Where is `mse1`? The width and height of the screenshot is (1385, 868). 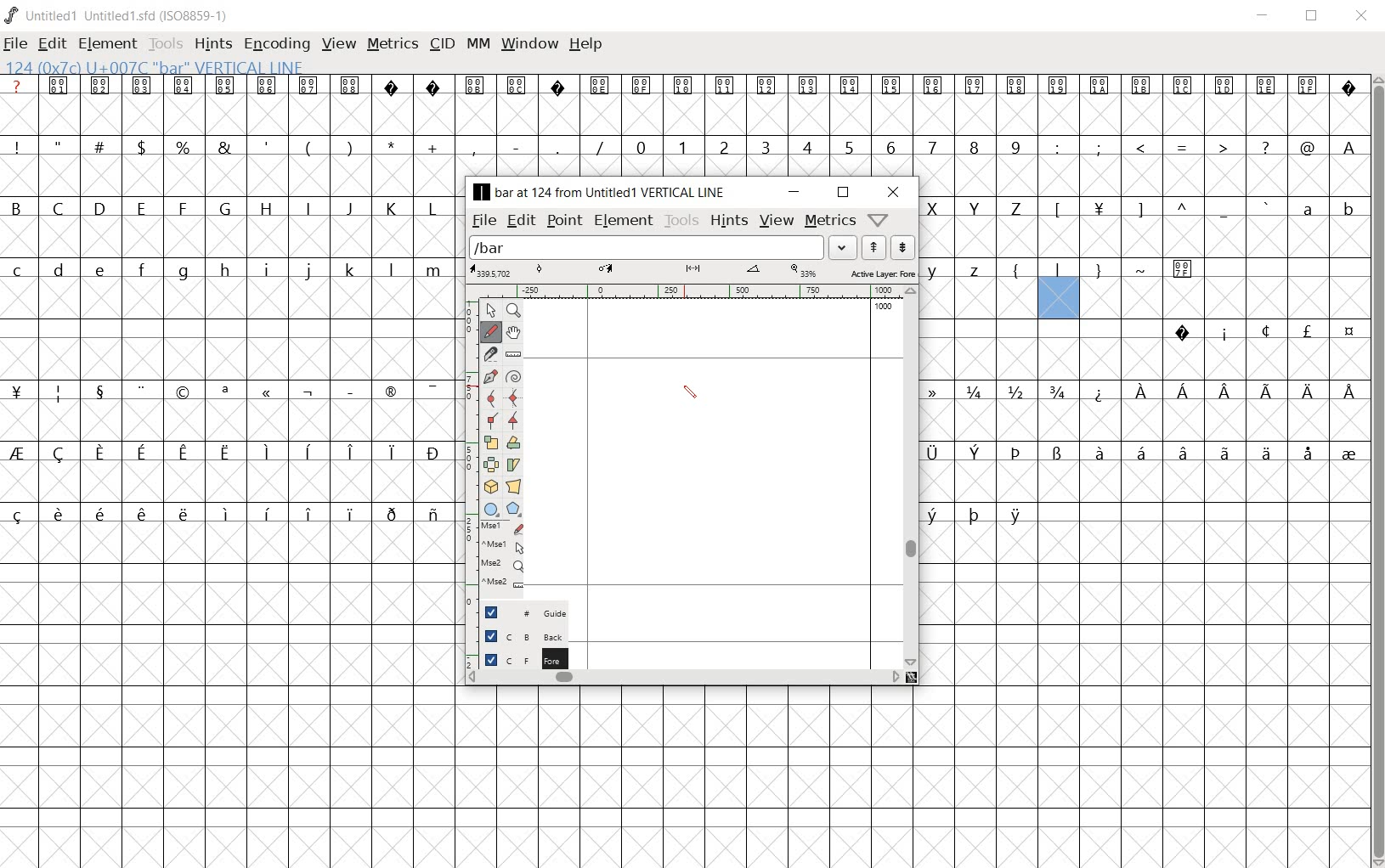 mse1 is located at coordinates (499, 526).